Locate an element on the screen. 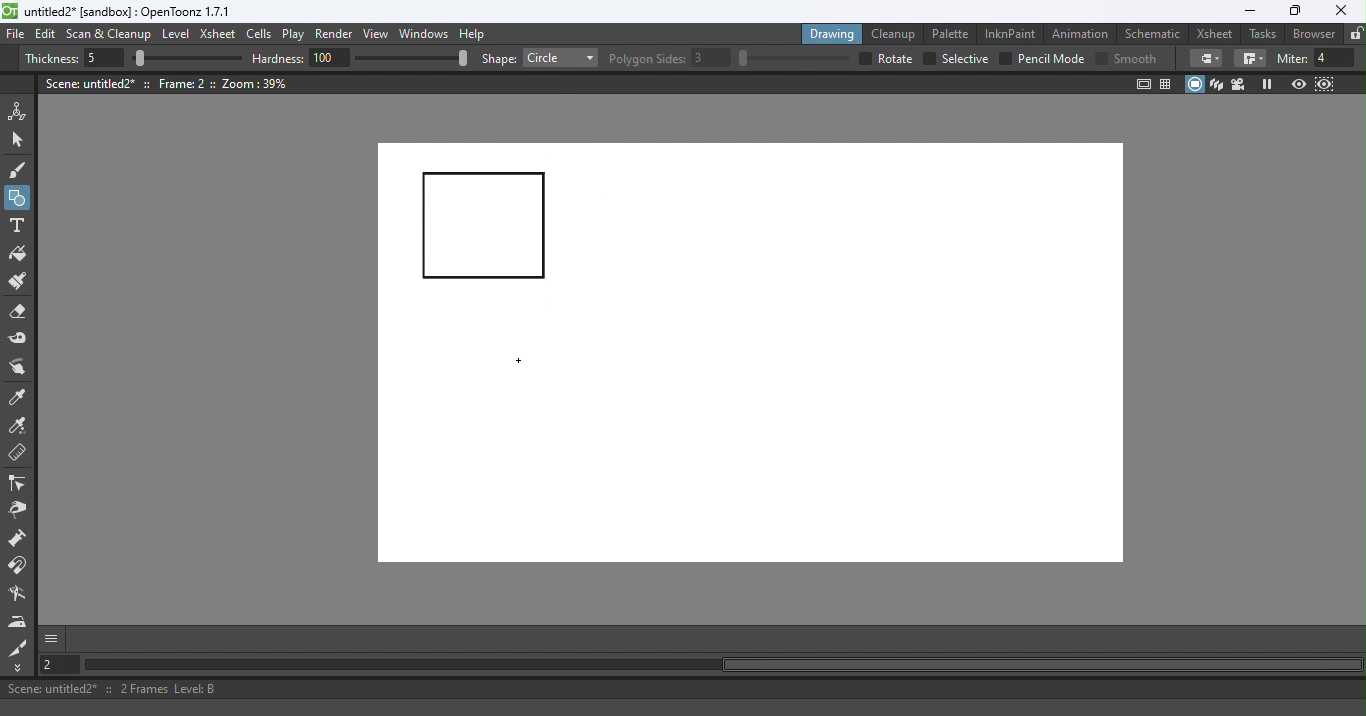 The width and height of the screenshot is (1366, 716). 5 is located at coordinates (101, 59).